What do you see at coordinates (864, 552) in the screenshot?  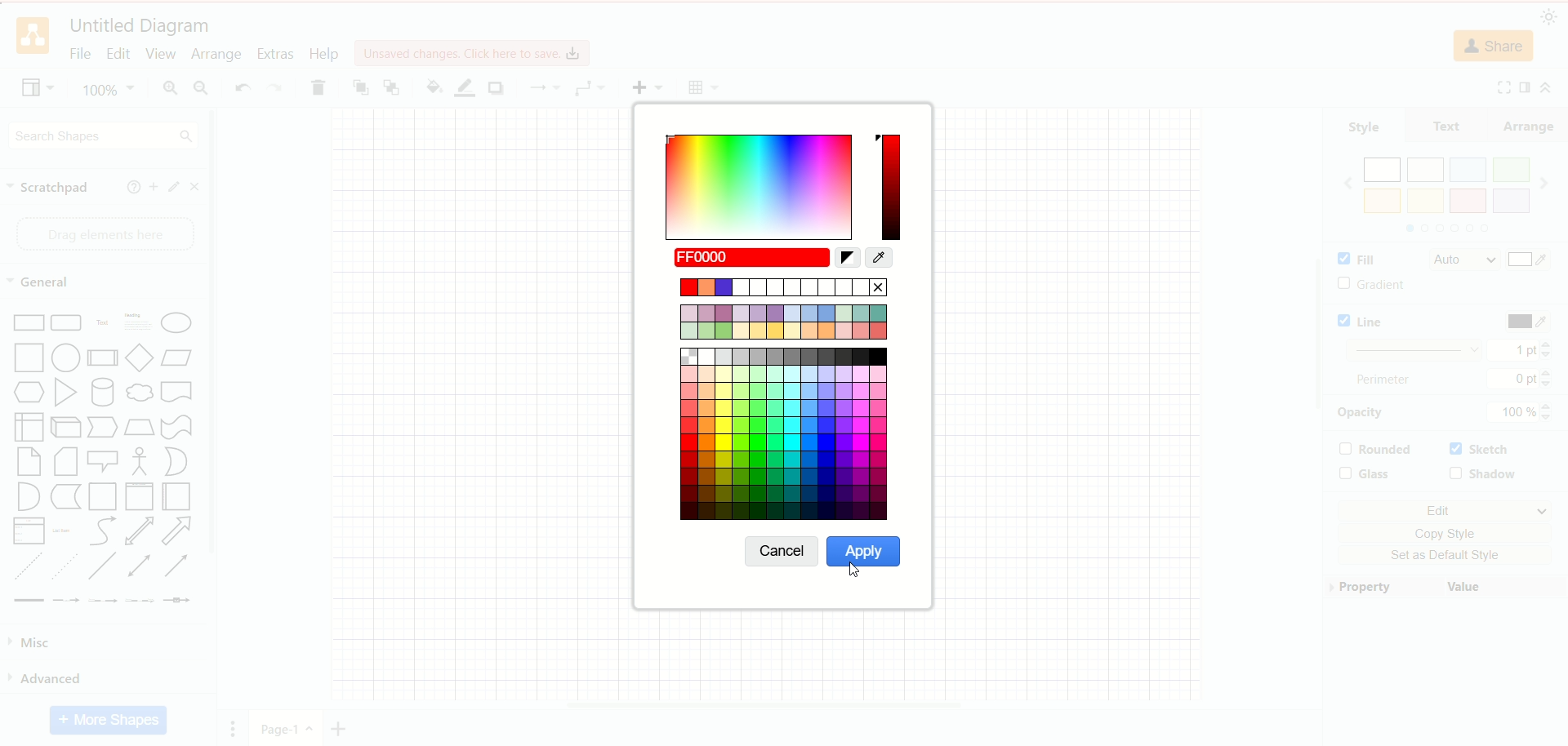 I see `apply` at bounding box center [864, 552].